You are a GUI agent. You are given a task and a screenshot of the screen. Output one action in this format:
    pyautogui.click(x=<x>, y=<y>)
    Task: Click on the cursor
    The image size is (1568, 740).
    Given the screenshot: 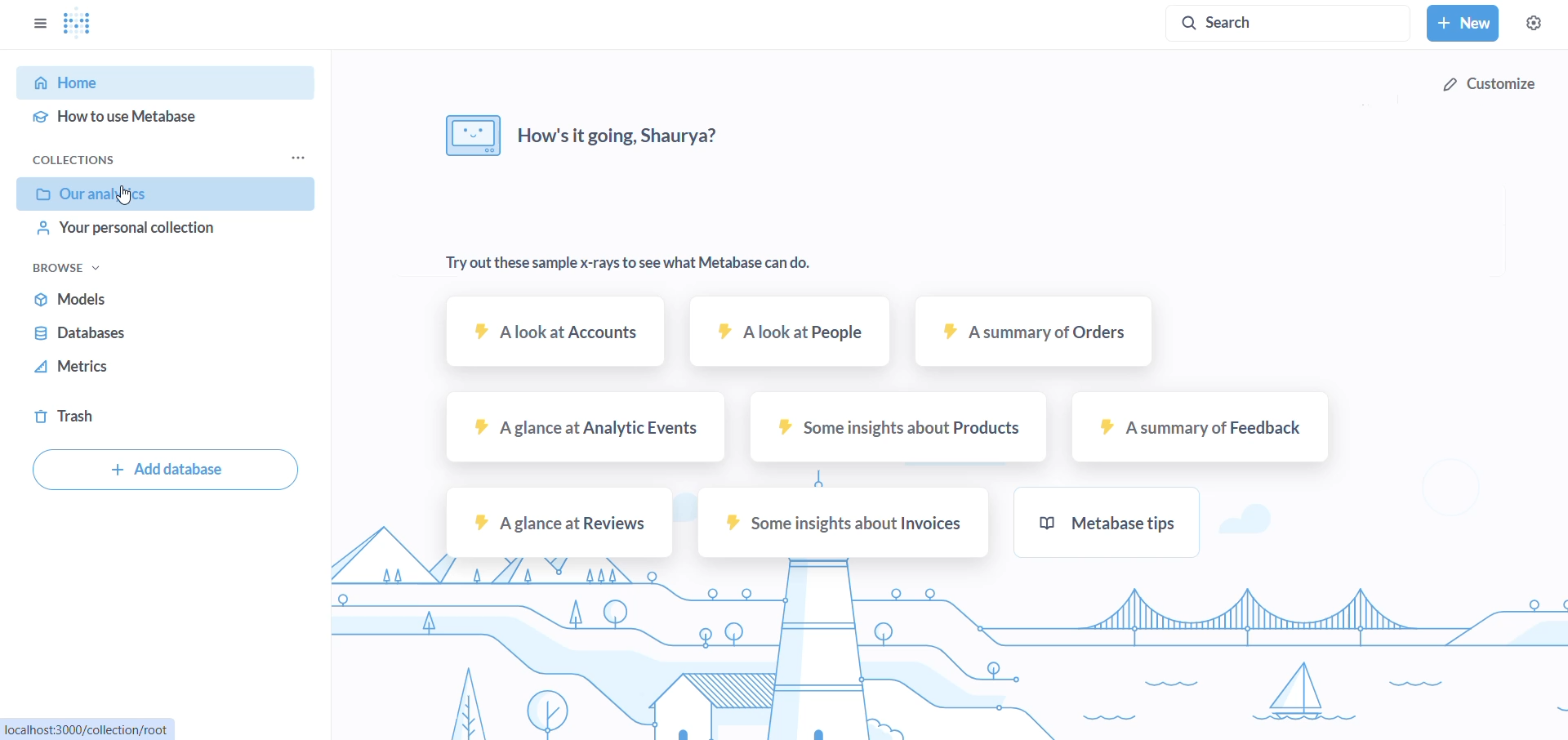 What is the action you would take?
    pyautogui.click(x=128, y=195)
    